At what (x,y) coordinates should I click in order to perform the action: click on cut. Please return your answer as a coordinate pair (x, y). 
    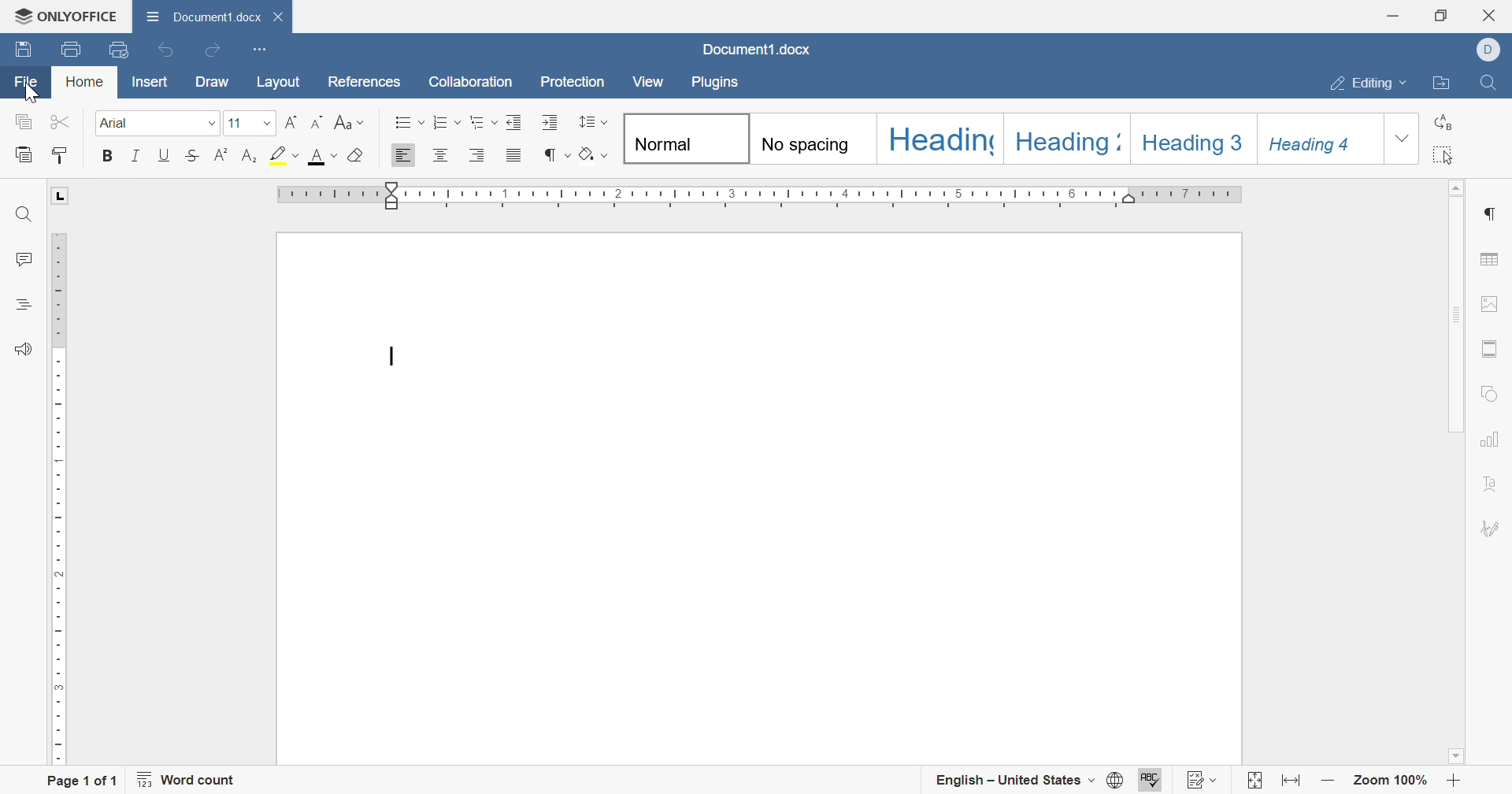
    Looking at the image, I should click on (62, 123).